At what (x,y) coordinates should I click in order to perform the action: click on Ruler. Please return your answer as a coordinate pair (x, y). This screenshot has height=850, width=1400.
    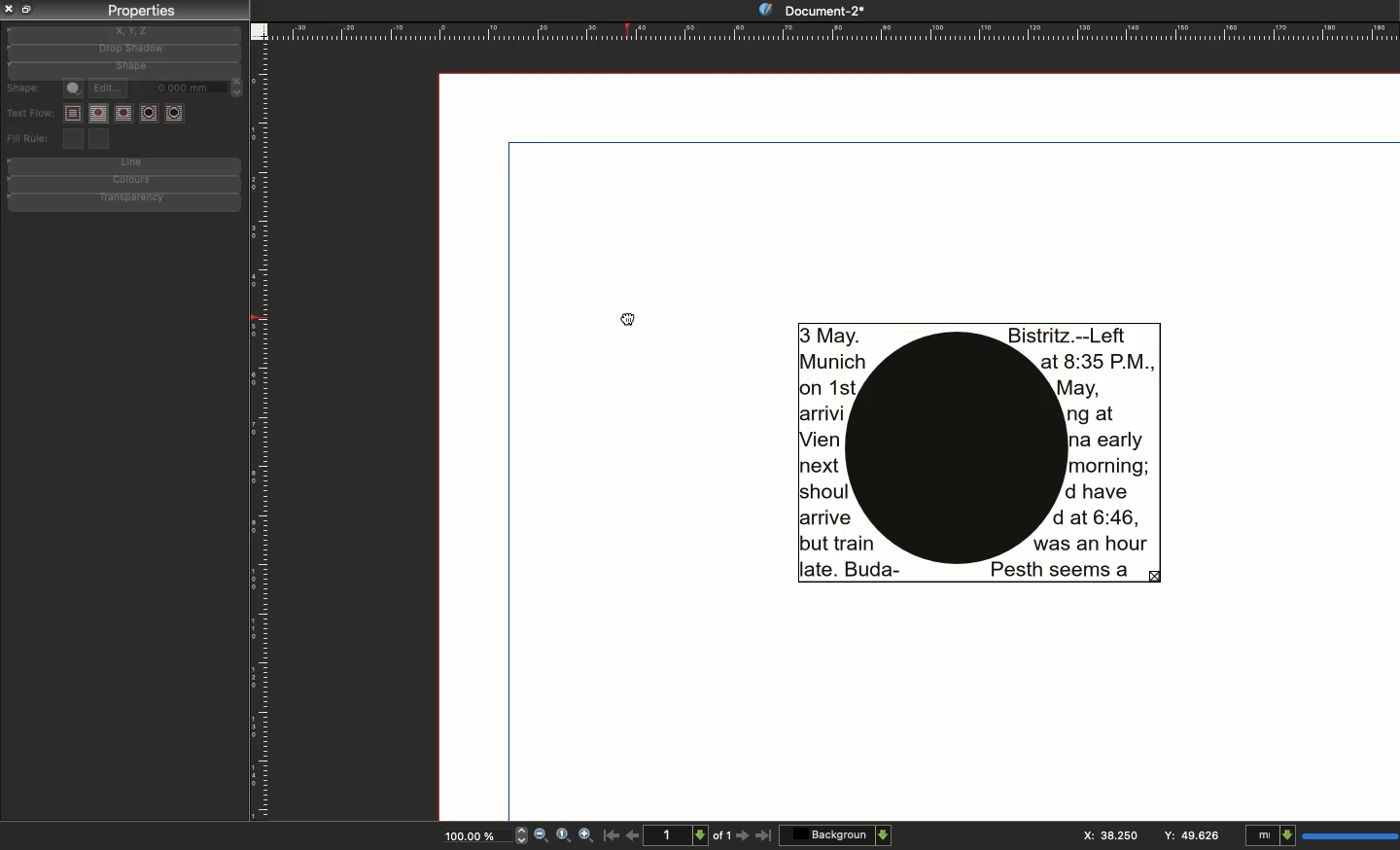
    Looking at the image, I should click on (836, 30).